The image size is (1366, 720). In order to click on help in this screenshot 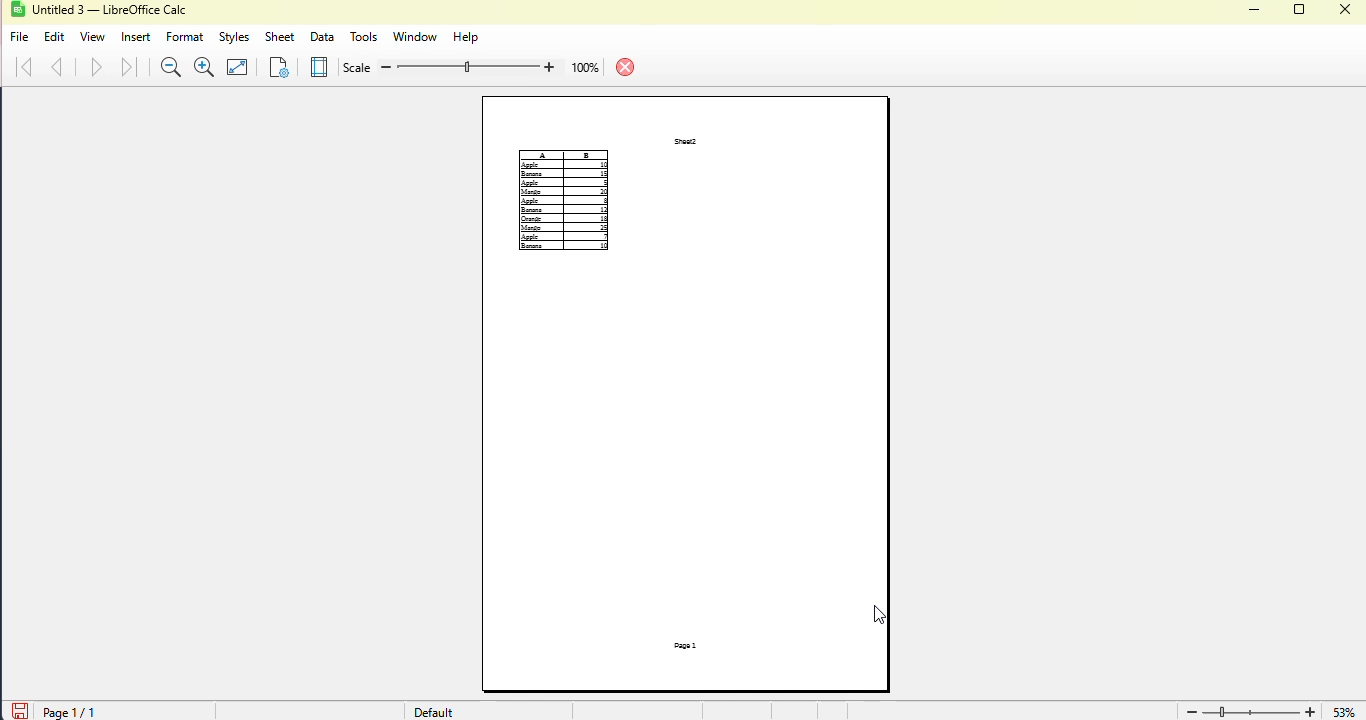, I will do `click(464, 37)`.